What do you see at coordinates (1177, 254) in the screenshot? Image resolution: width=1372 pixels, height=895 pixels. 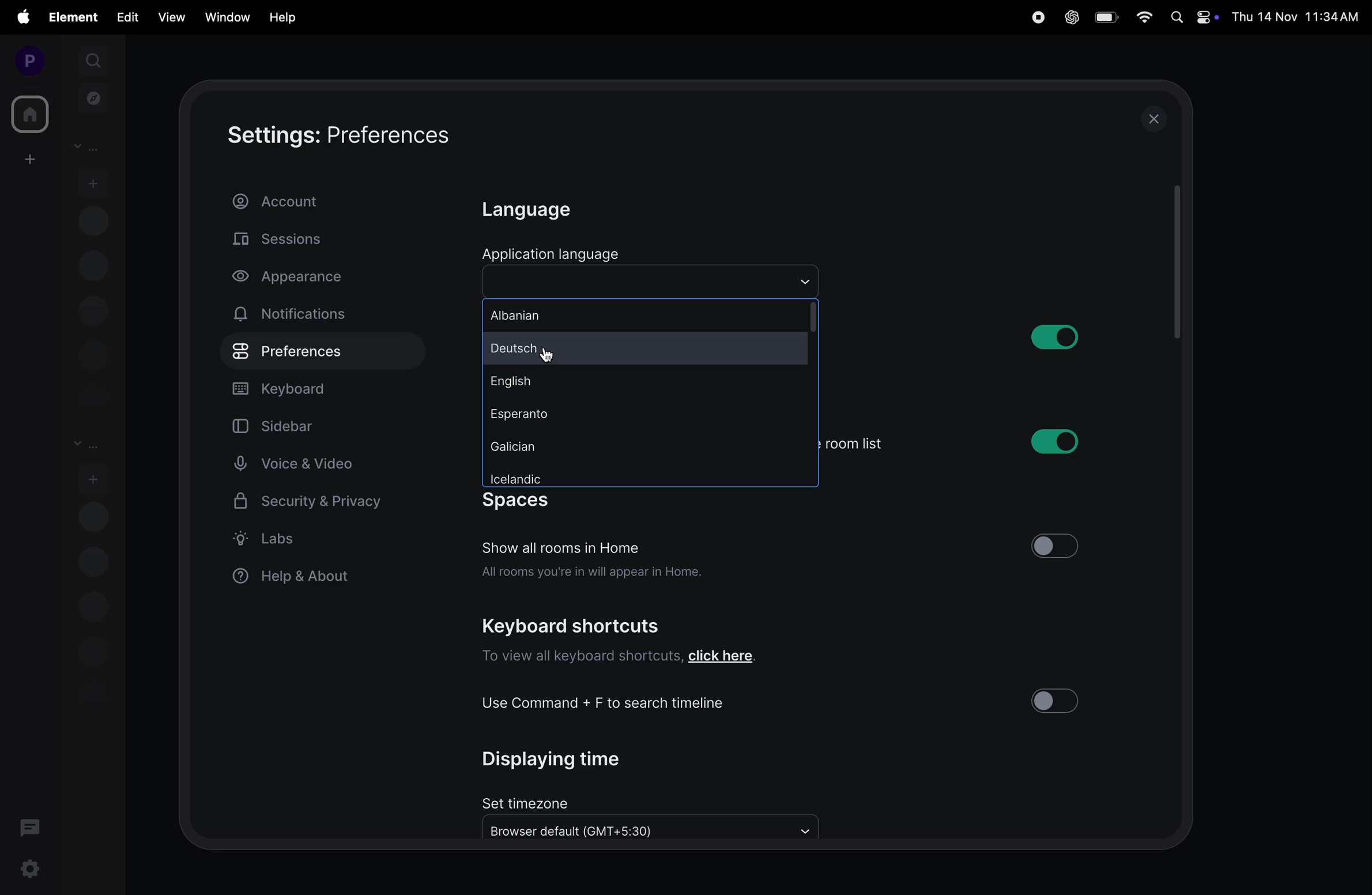 I see `scrollbar` at bounding box center [1177, 254].